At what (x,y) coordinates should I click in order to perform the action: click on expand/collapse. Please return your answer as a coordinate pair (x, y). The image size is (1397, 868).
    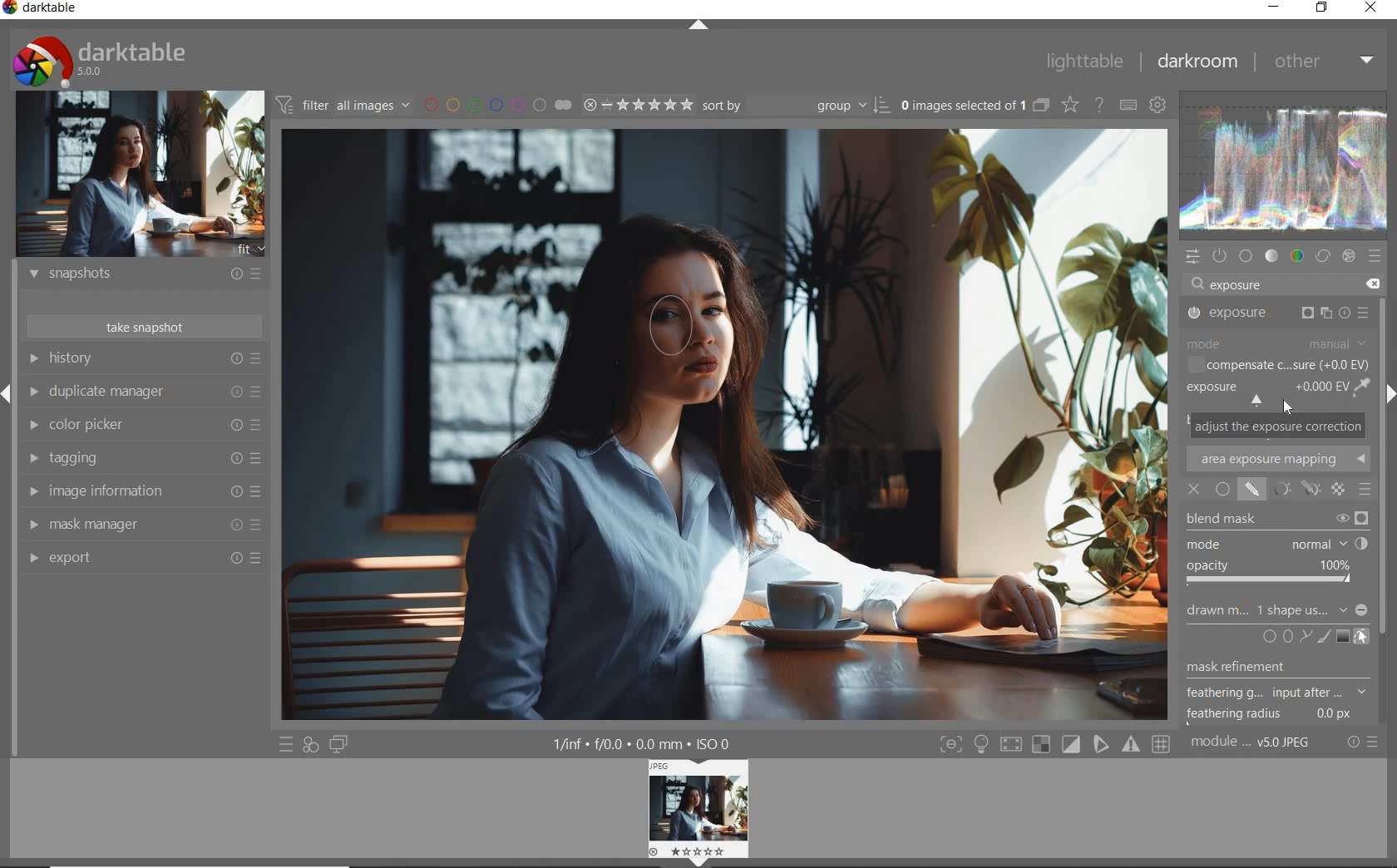
    Looking at the image, I should click on (698, 24).